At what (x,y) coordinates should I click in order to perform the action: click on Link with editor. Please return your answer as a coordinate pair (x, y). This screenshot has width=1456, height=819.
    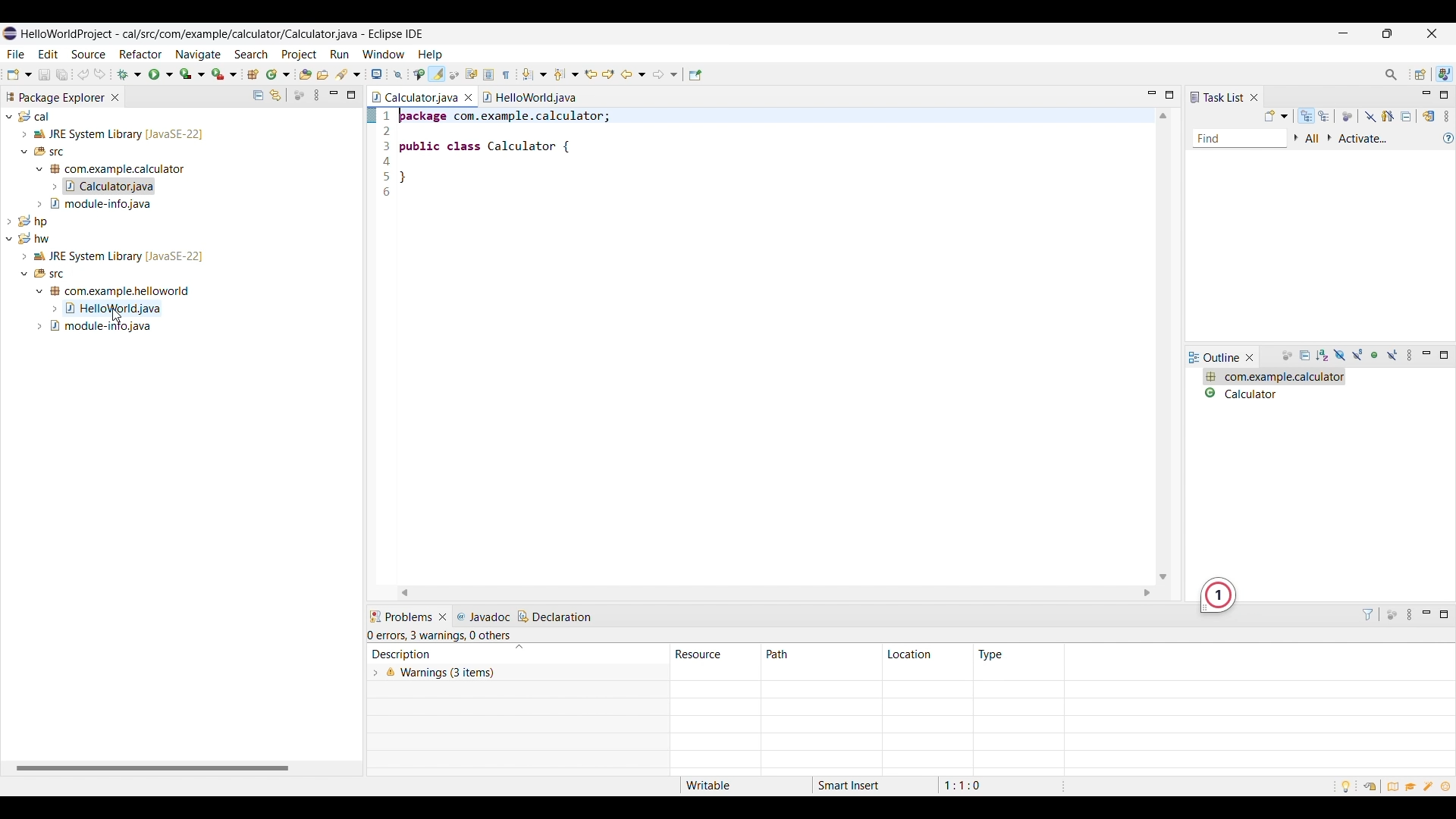
    Looking at the image, I should click on (275, 95).